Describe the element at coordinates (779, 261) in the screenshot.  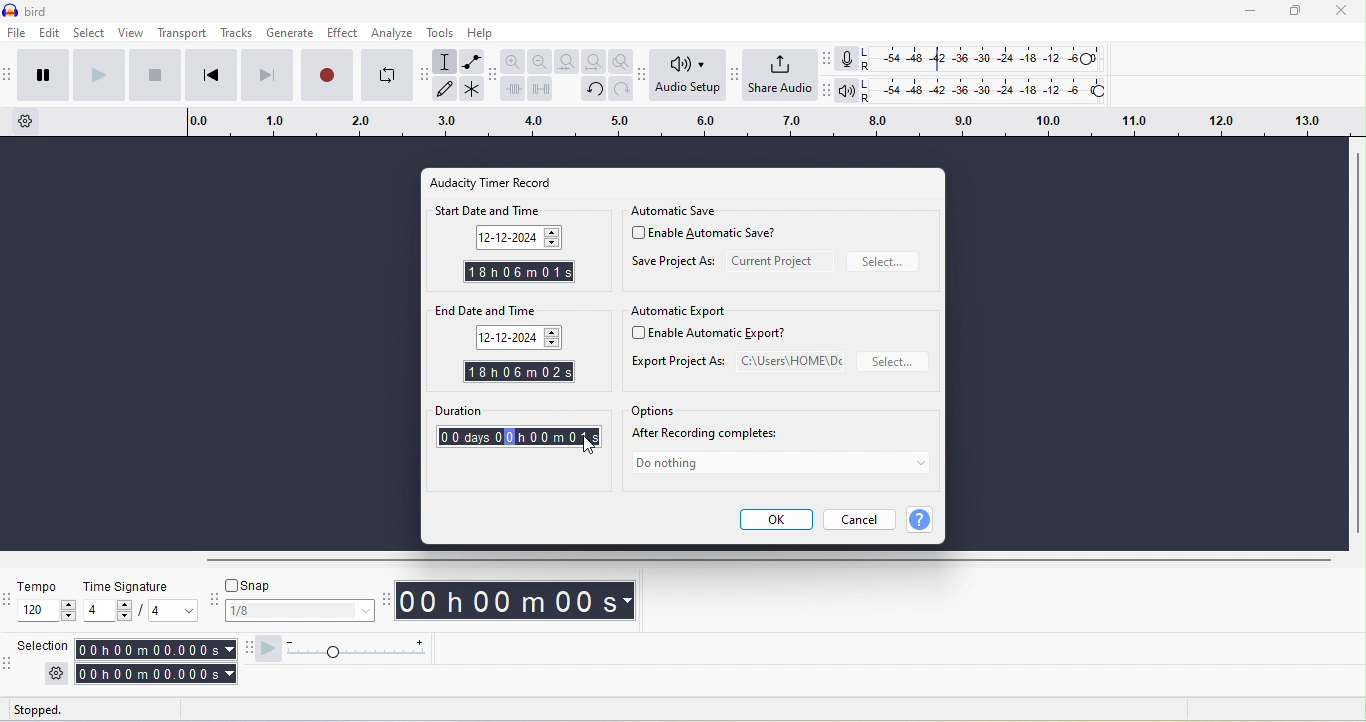
I see `current project` at that location.